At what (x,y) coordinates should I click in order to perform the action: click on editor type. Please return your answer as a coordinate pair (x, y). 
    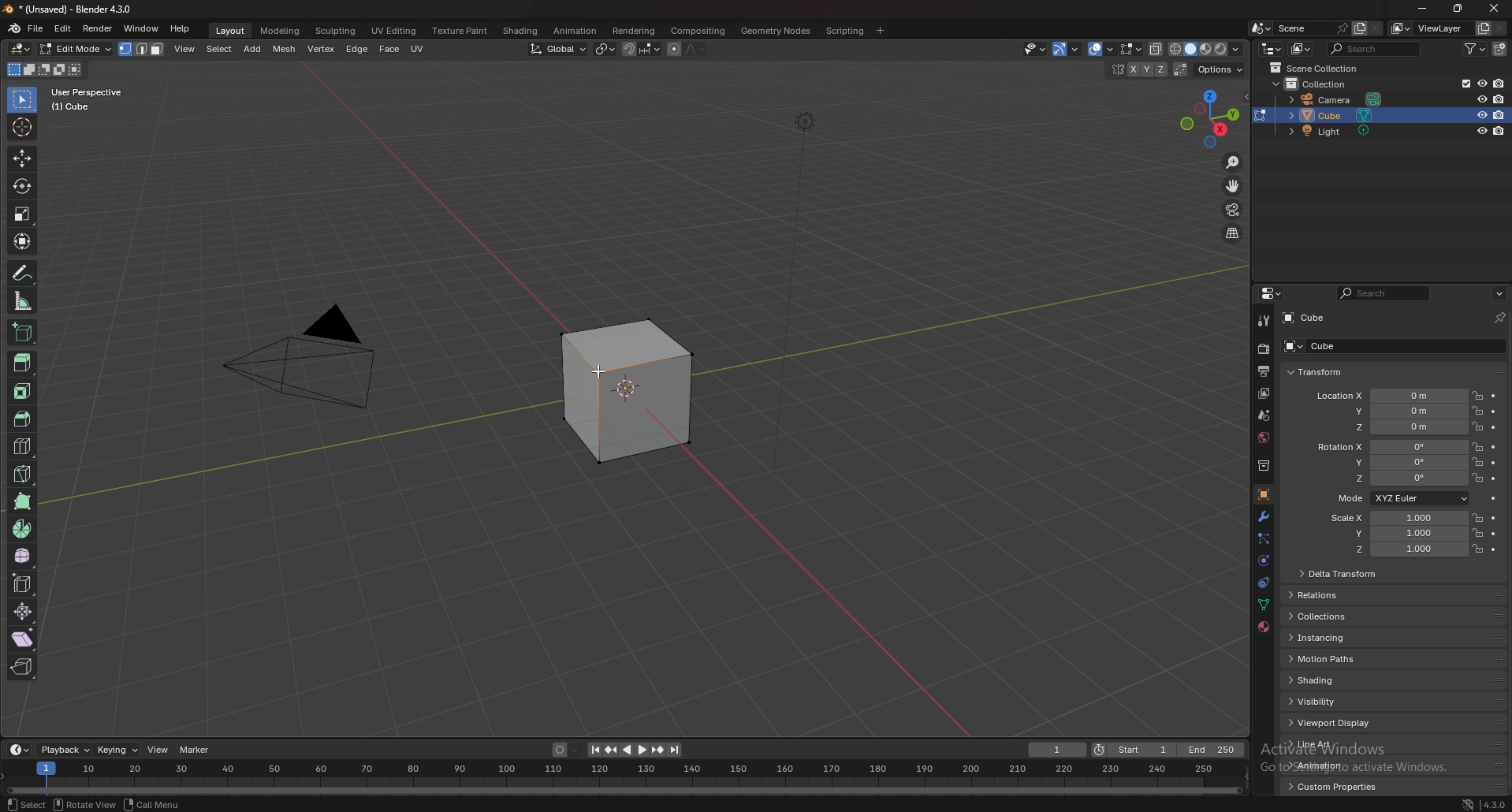
    Looking at the image, I should click on (1272, 49).